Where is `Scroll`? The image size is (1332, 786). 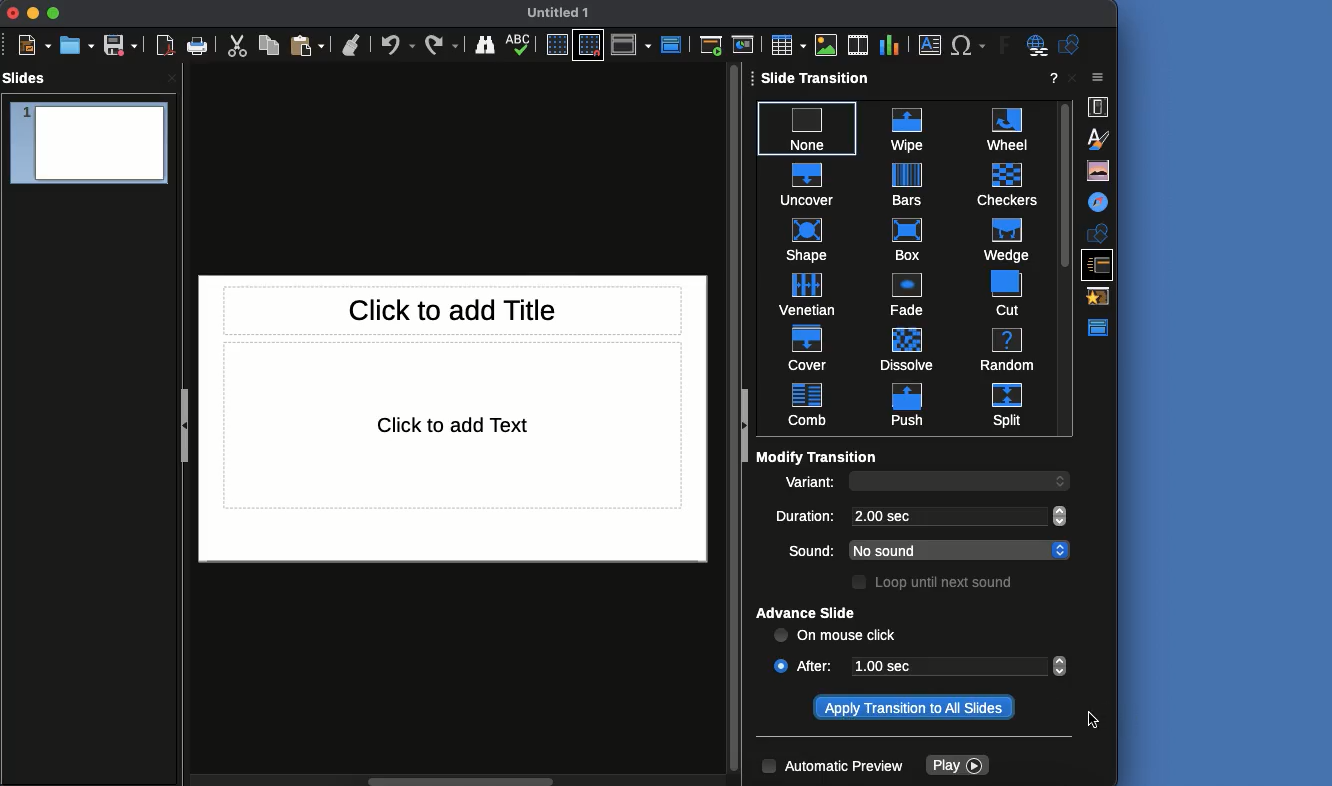 Scroll is located at coordinates (1065, 265).